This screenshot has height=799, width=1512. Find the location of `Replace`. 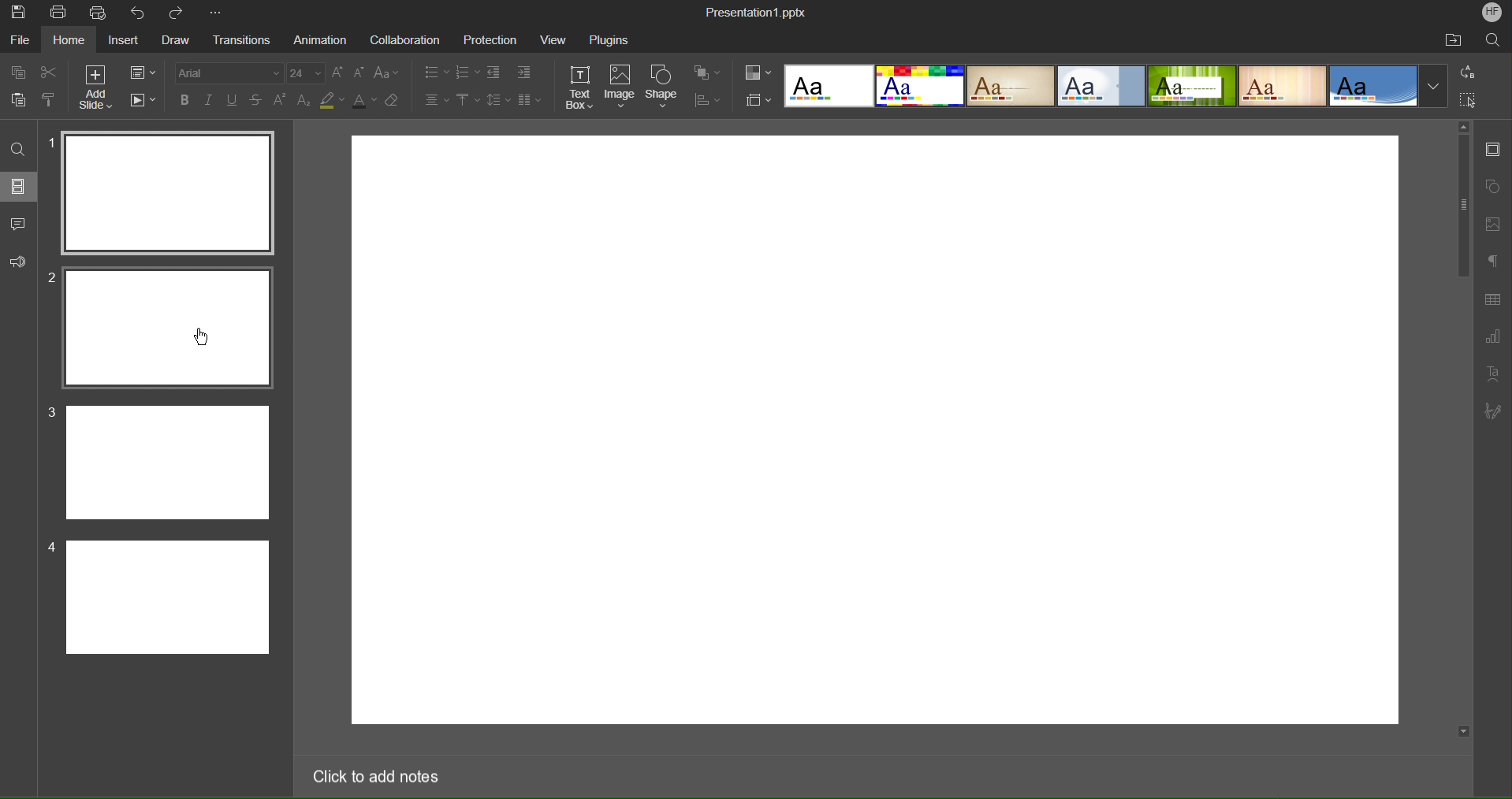

Replace is located at coordinates (1468, 72).